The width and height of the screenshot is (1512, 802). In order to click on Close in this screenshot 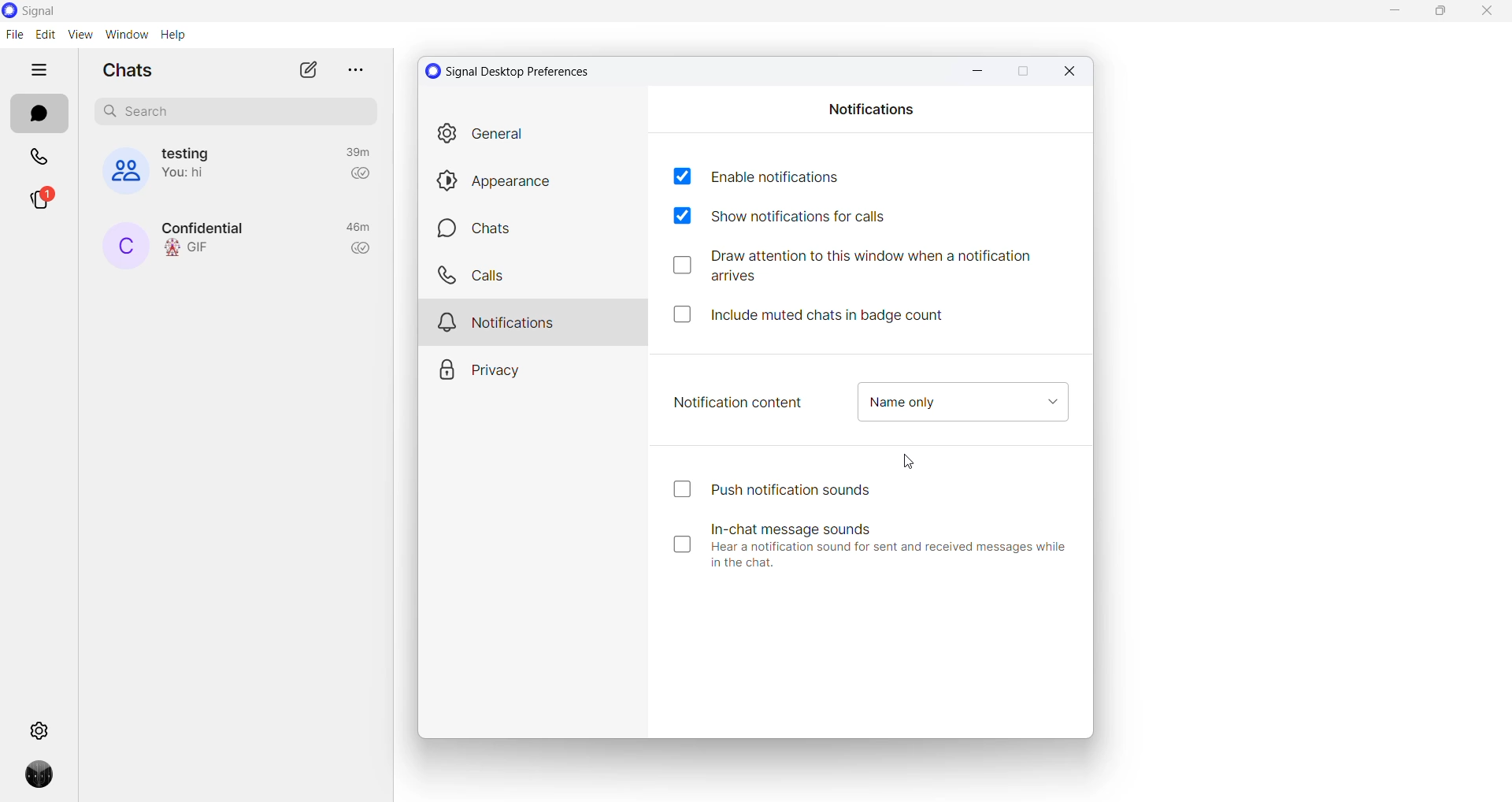, I will do `click(1073, 72)`.